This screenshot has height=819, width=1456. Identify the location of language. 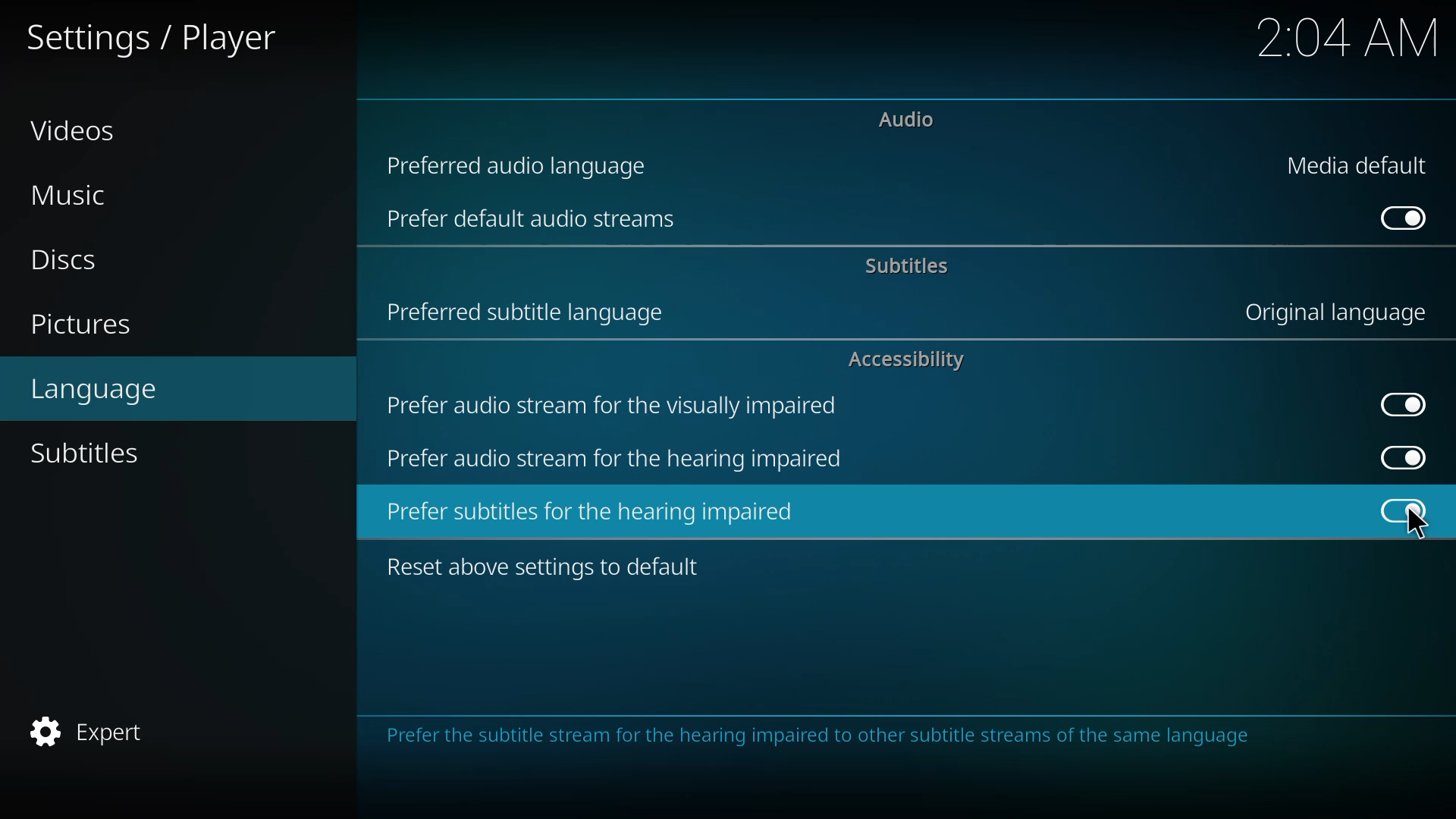
(96, 389).